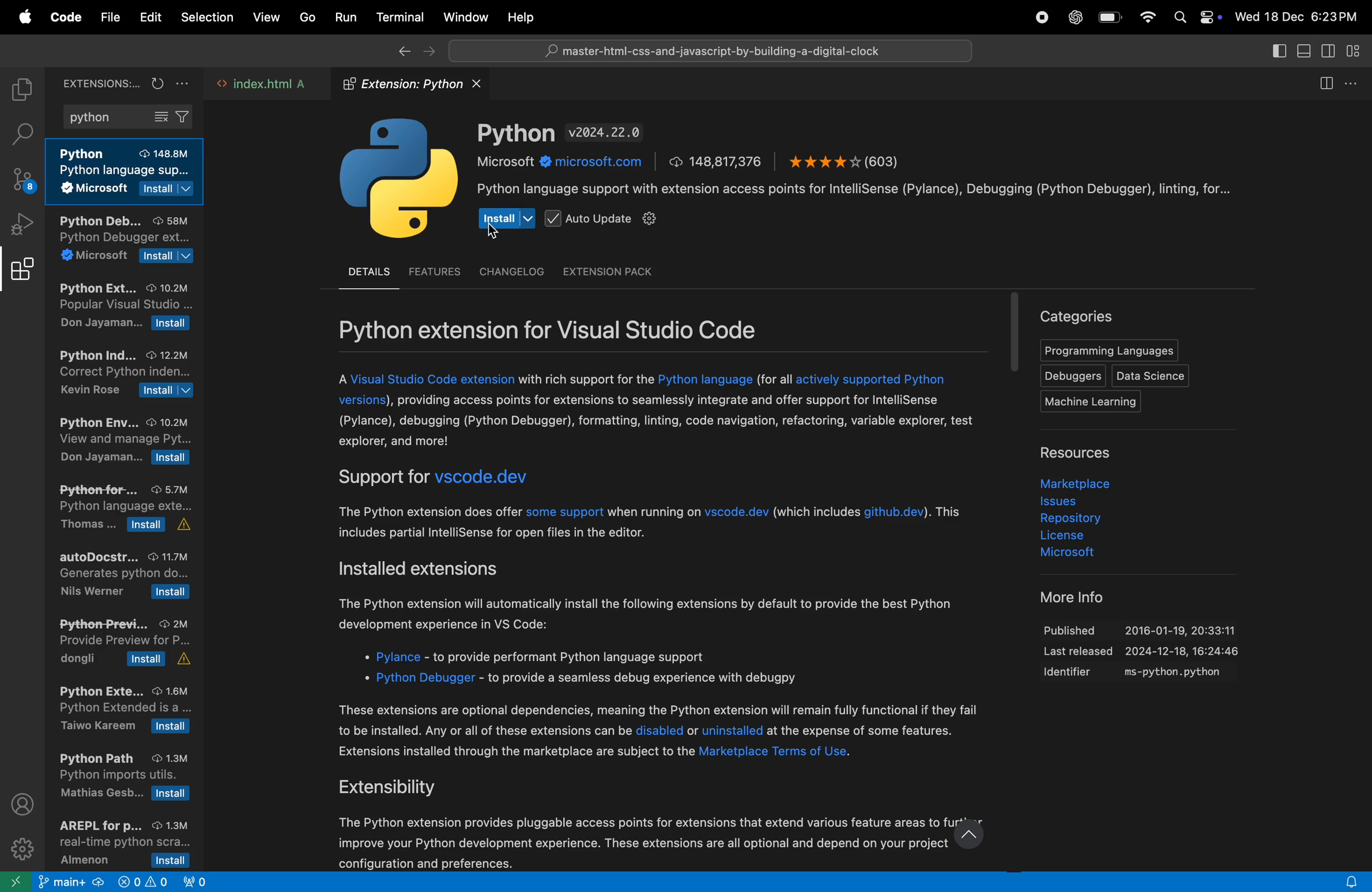 The height and width of the screenshot is (892, 1372). Describe the element at coordinates (1358, 52) in the screenshot. I see `customize layout` at that location.